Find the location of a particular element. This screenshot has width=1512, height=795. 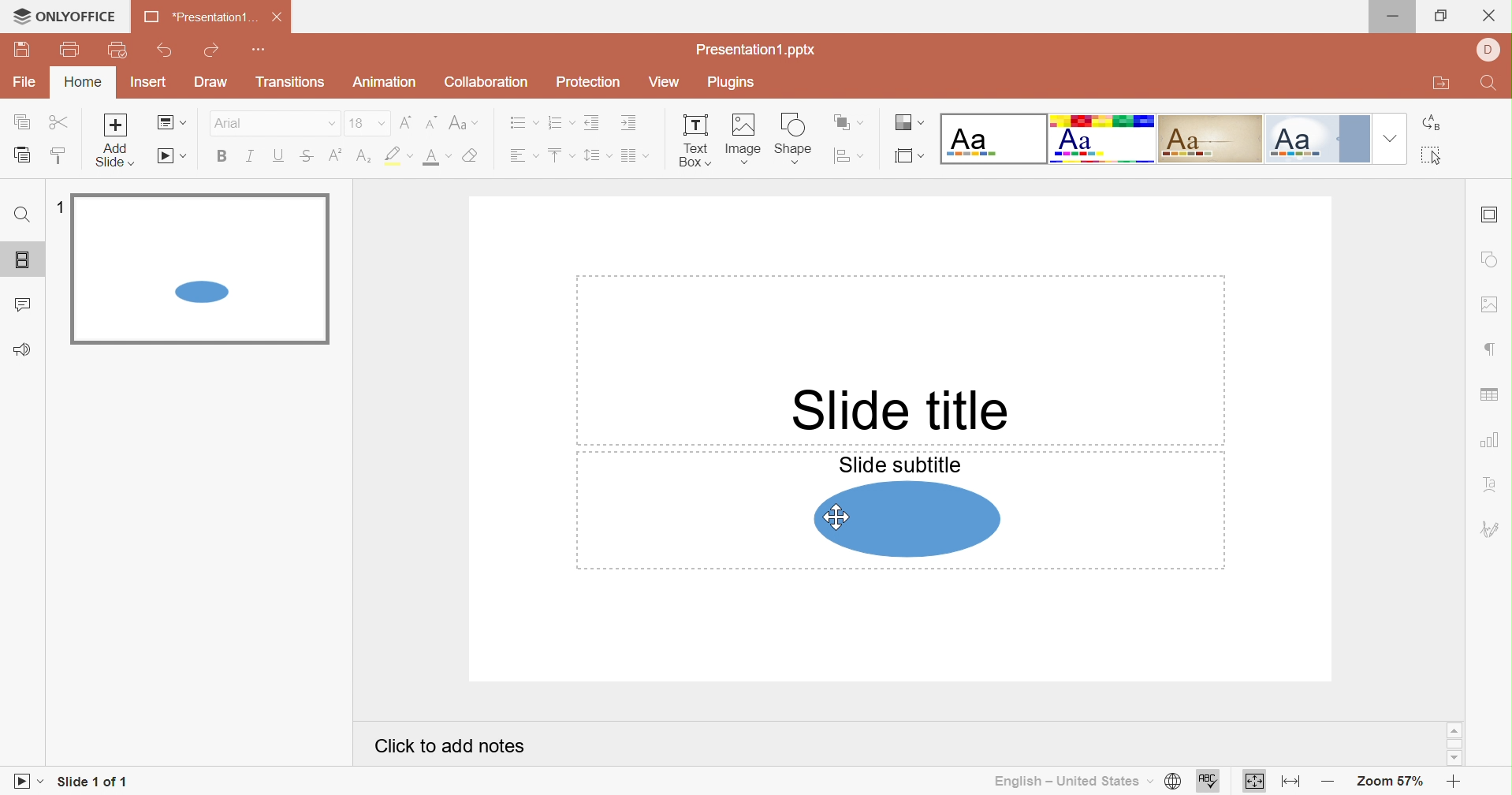

File is located at coordinates (24, 83).